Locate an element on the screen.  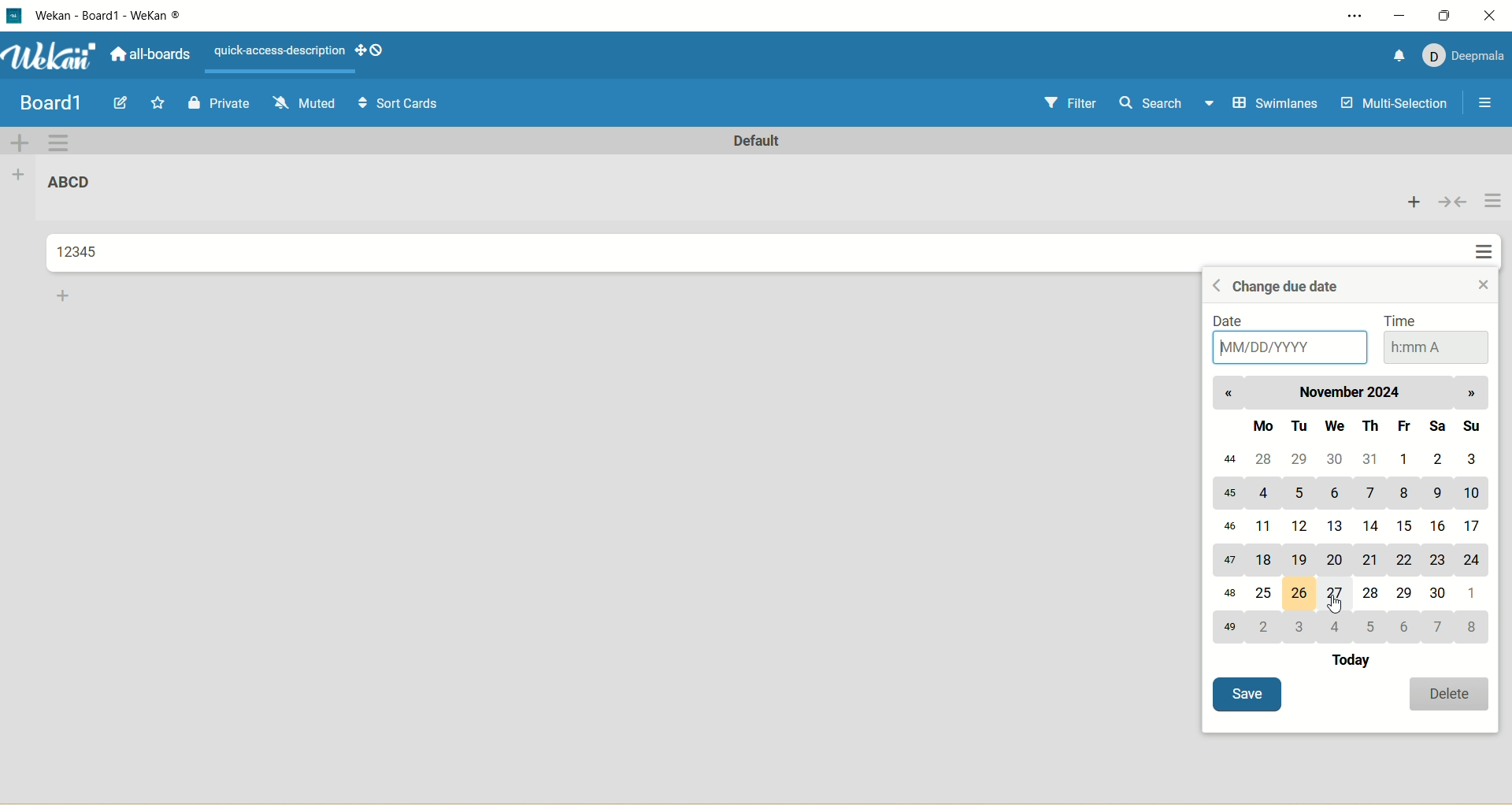
swimlane action is located at coordinates (59, 143).